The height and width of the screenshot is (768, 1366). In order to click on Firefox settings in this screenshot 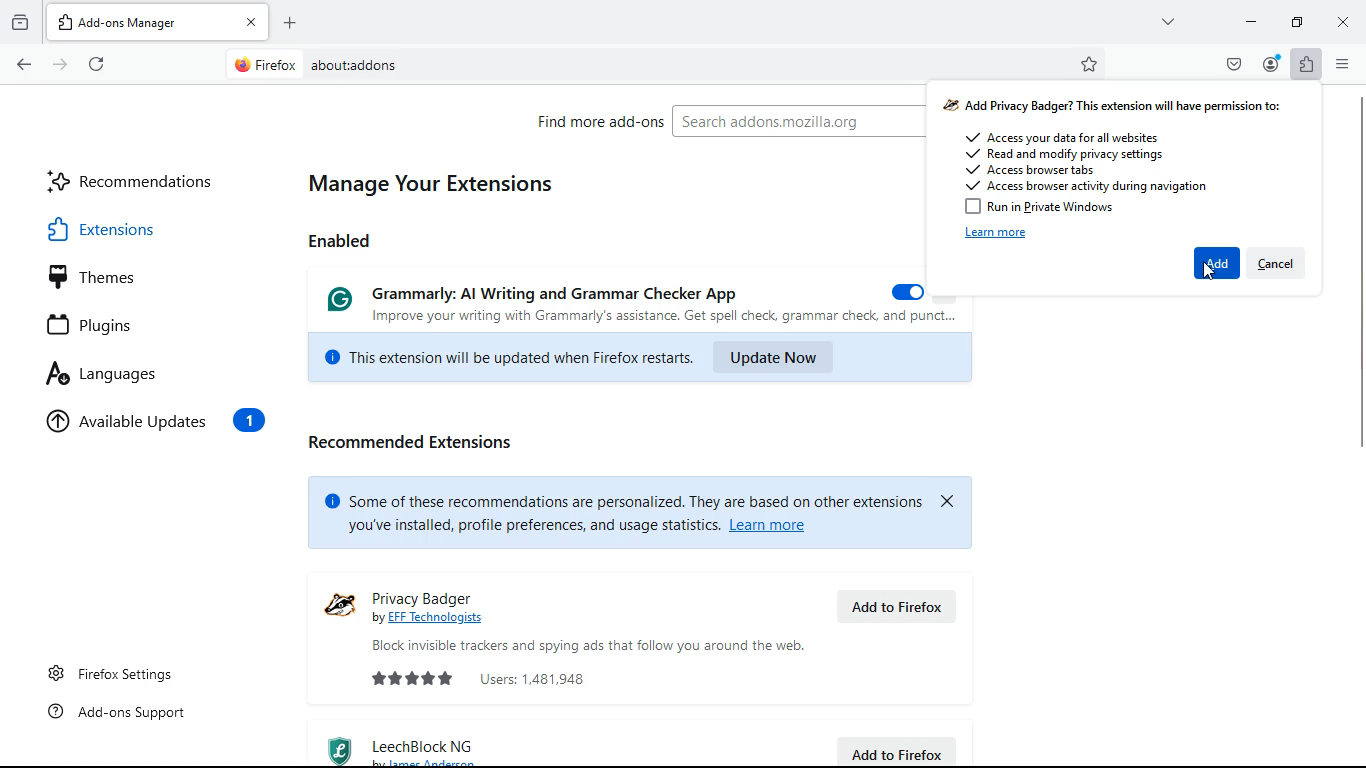, I will do `click(120, 674)`.